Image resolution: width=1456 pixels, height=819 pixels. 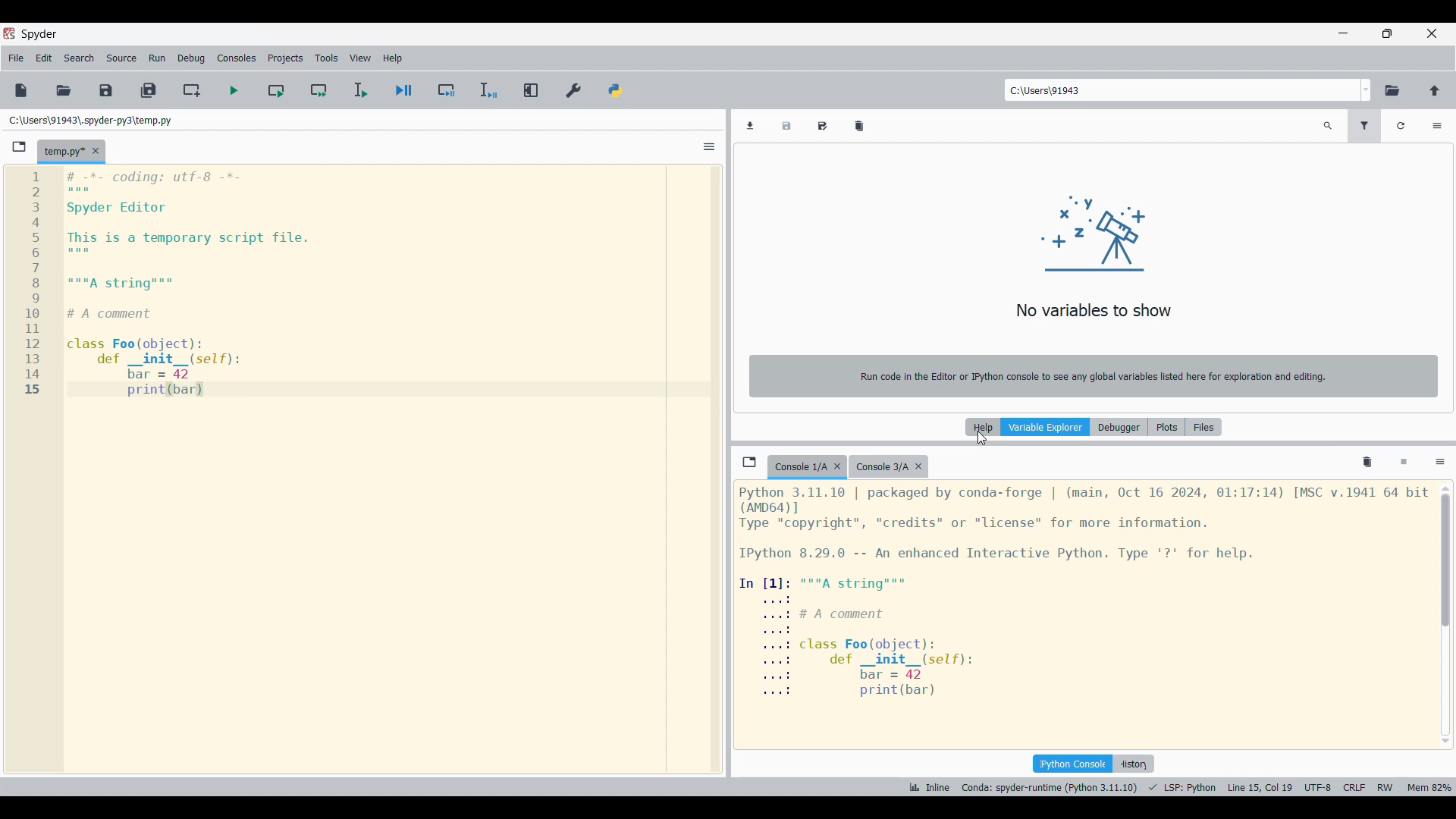 I want to click on Close interface, so click(x=1432, y=33).